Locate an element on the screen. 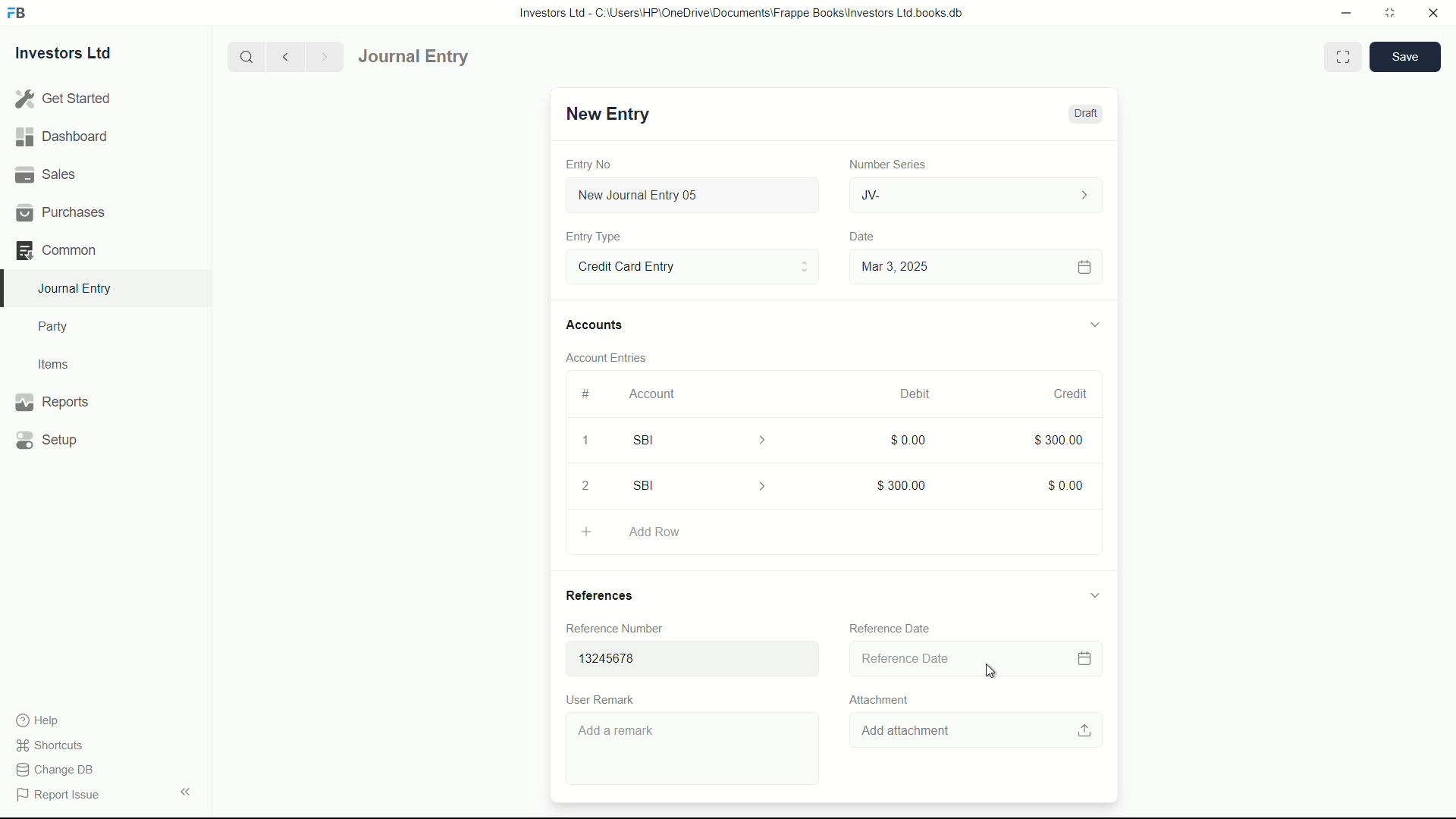 The width and height of the screenshot is (1456, 819). minimize is located at coordinates (1342, 11).